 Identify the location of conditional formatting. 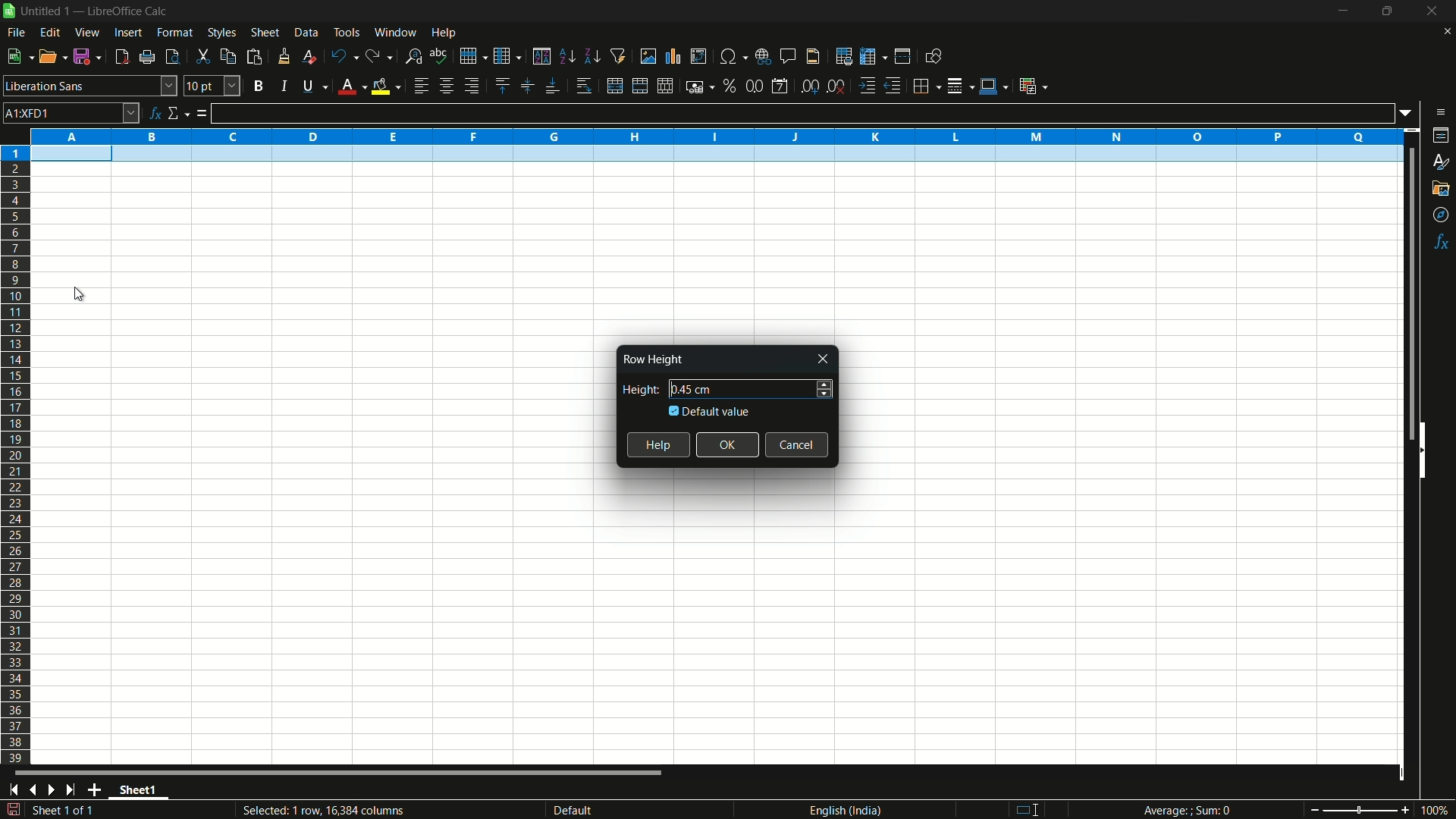
(1032, 86).